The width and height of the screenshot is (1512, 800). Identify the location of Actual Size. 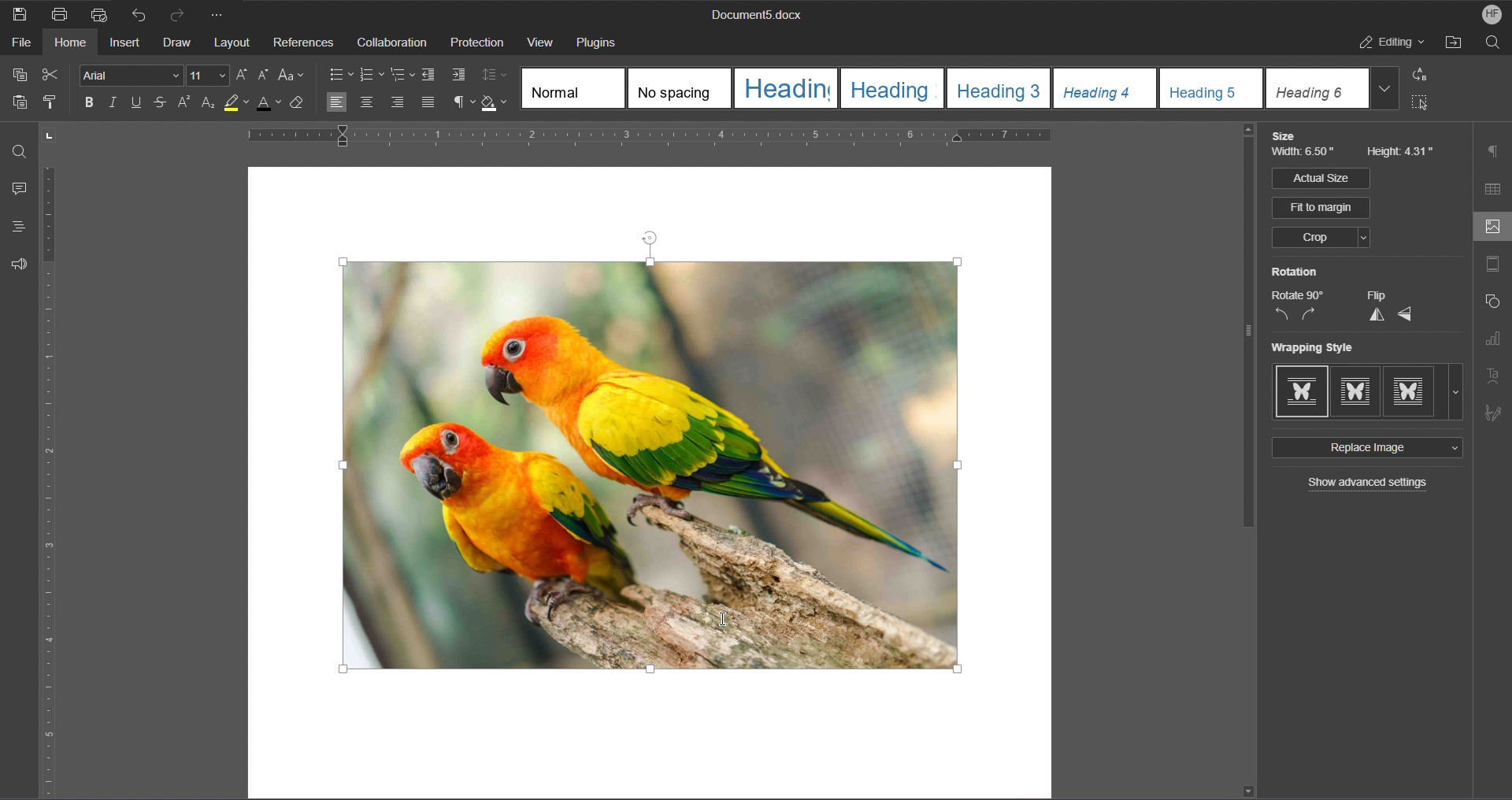
(1320, 178).